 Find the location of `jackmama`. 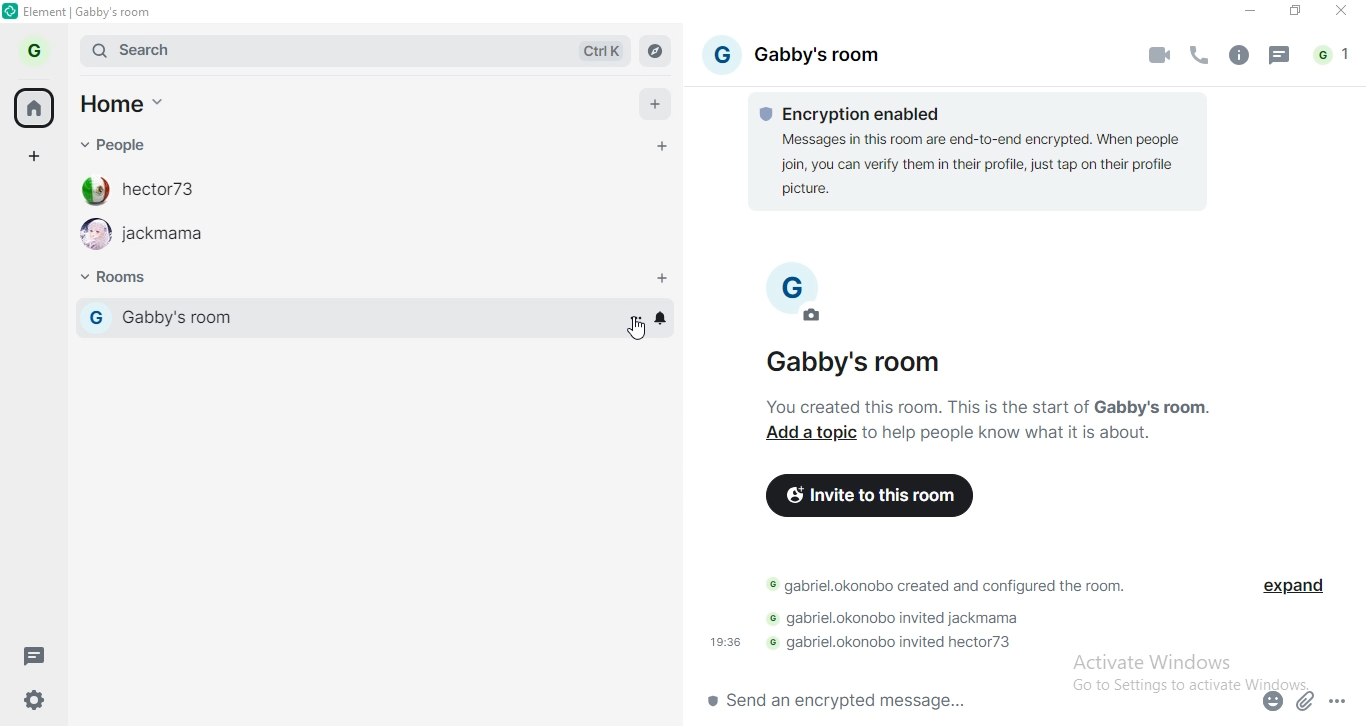

jackmama is located at coordinates (173, 234).